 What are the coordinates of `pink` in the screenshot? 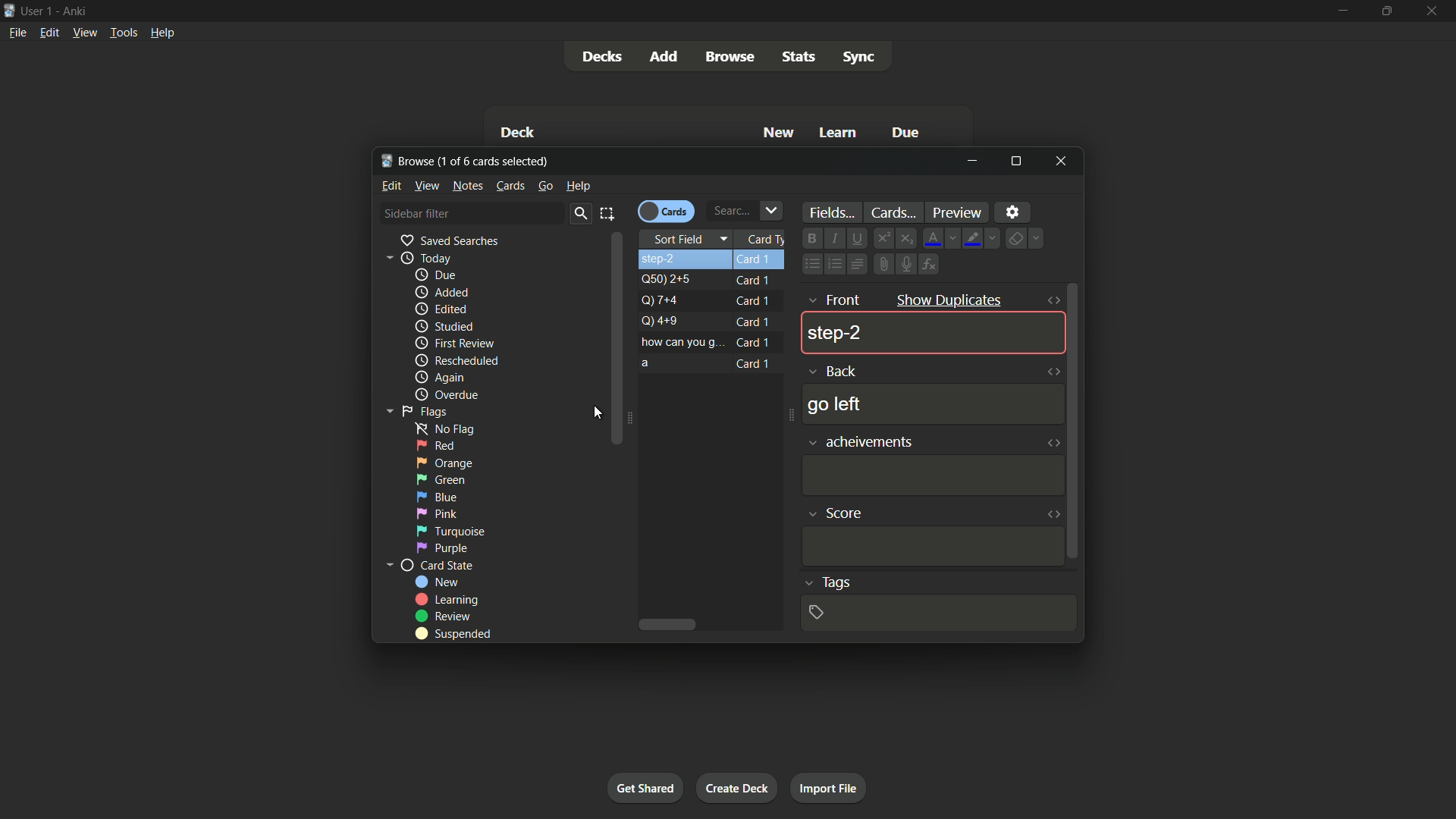 It's located at (437, 513).